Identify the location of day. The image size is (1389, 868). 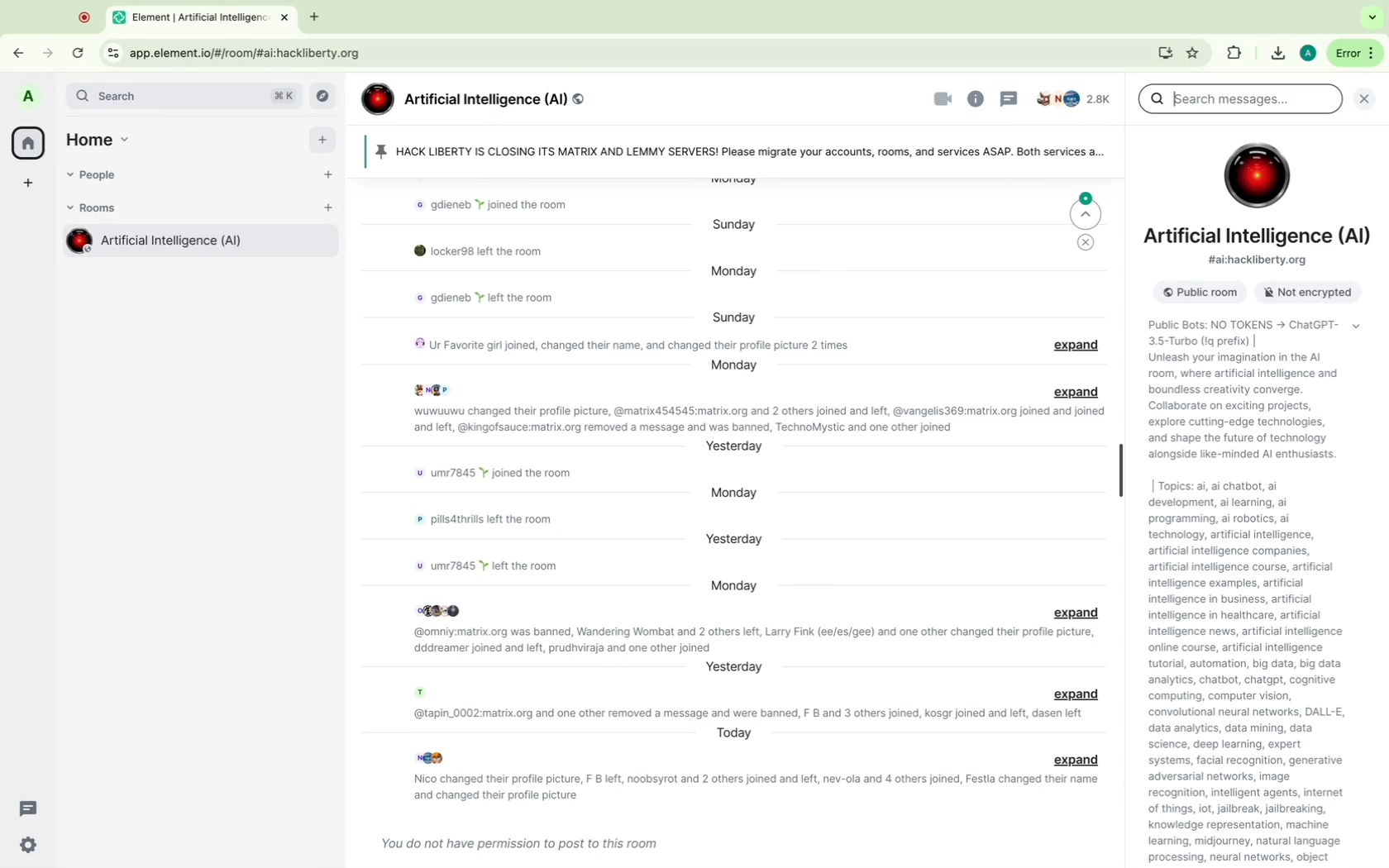
(736, 225).